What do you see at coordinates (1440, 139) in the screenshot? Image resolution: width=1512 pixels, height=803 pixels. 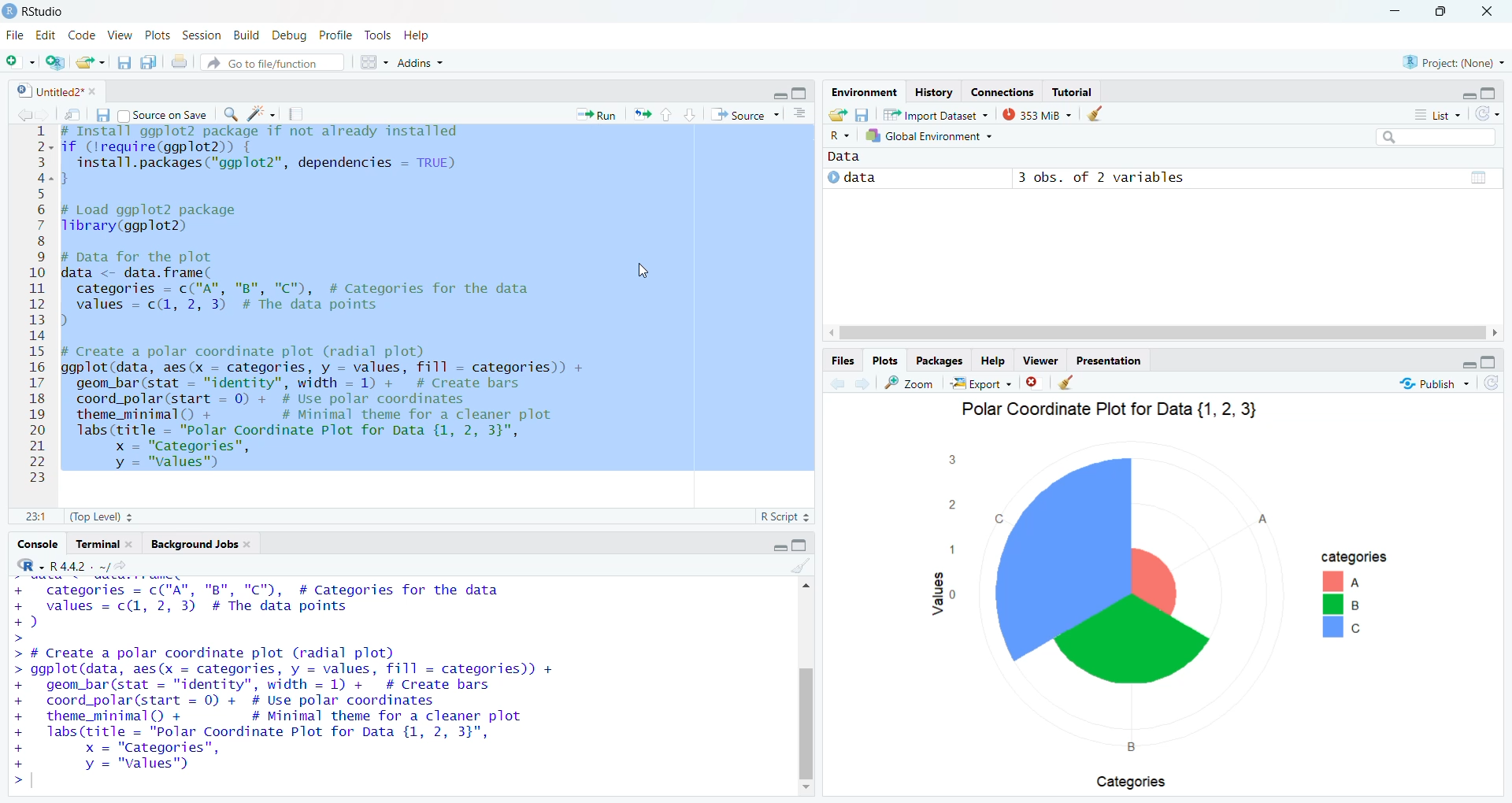 I see `search bar` at bounding box center [1440, 139].